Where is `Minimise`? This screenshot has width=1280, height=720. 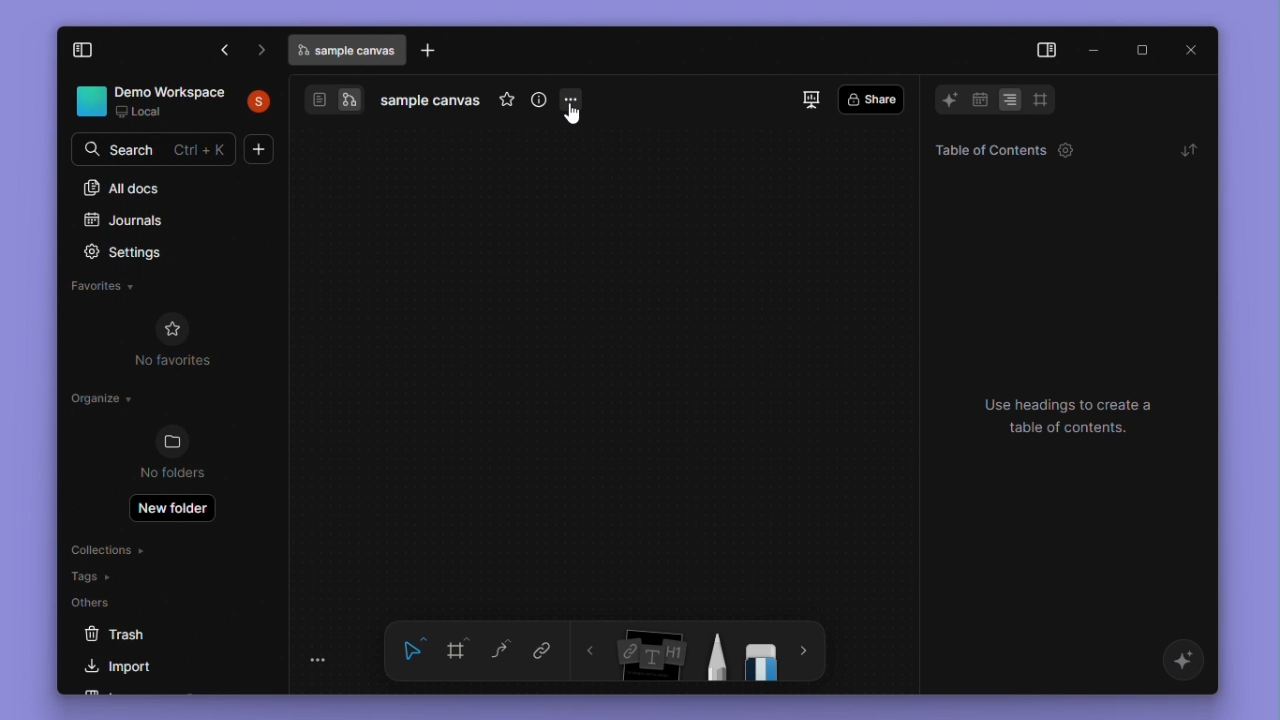
Minimise is located at coordinates (1095, 47).